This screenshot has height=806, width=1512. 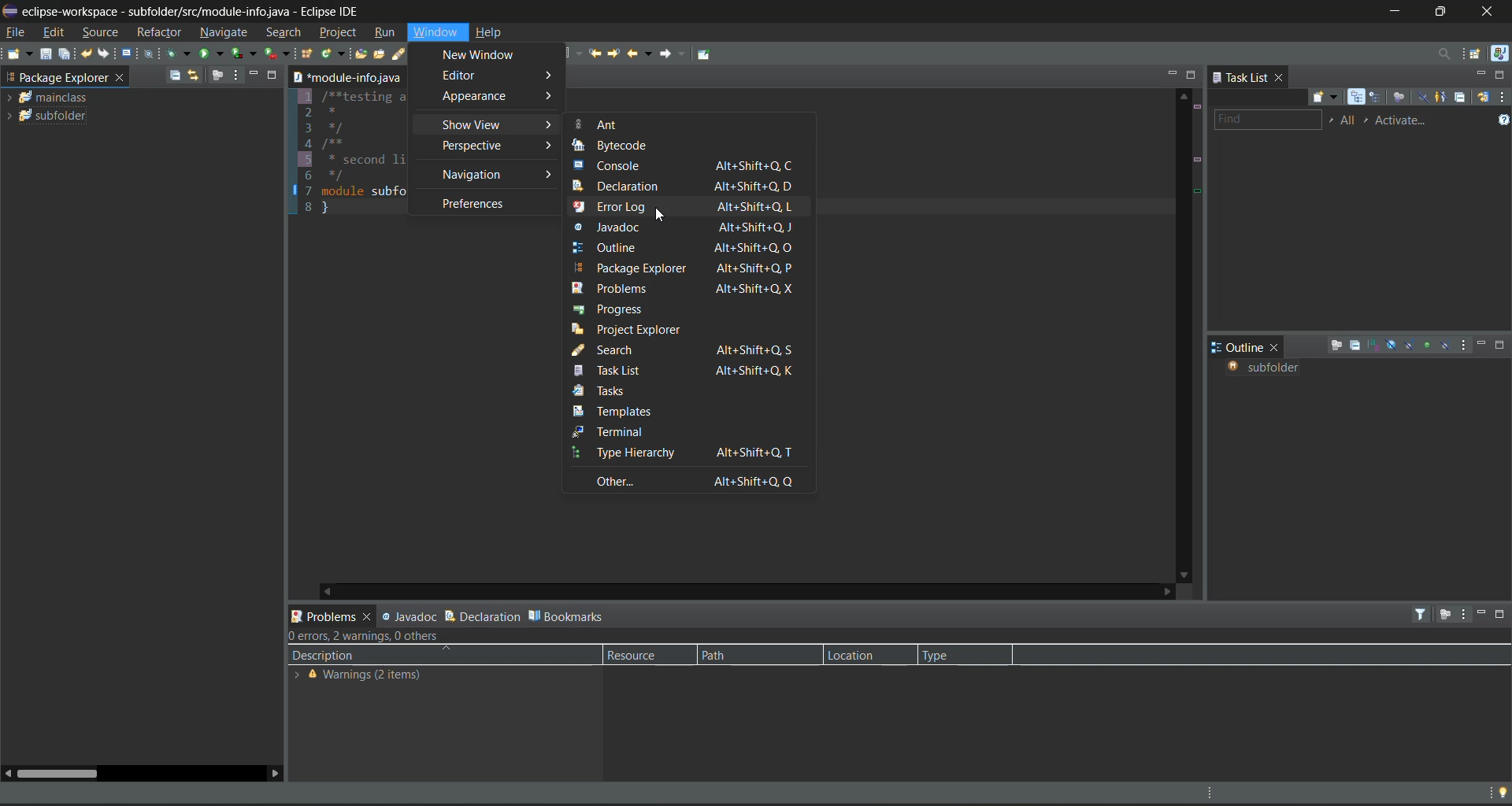 What do you see at coordinates (740, 655) in the screenshot?
I see `path` at bounding box center [740, 655].